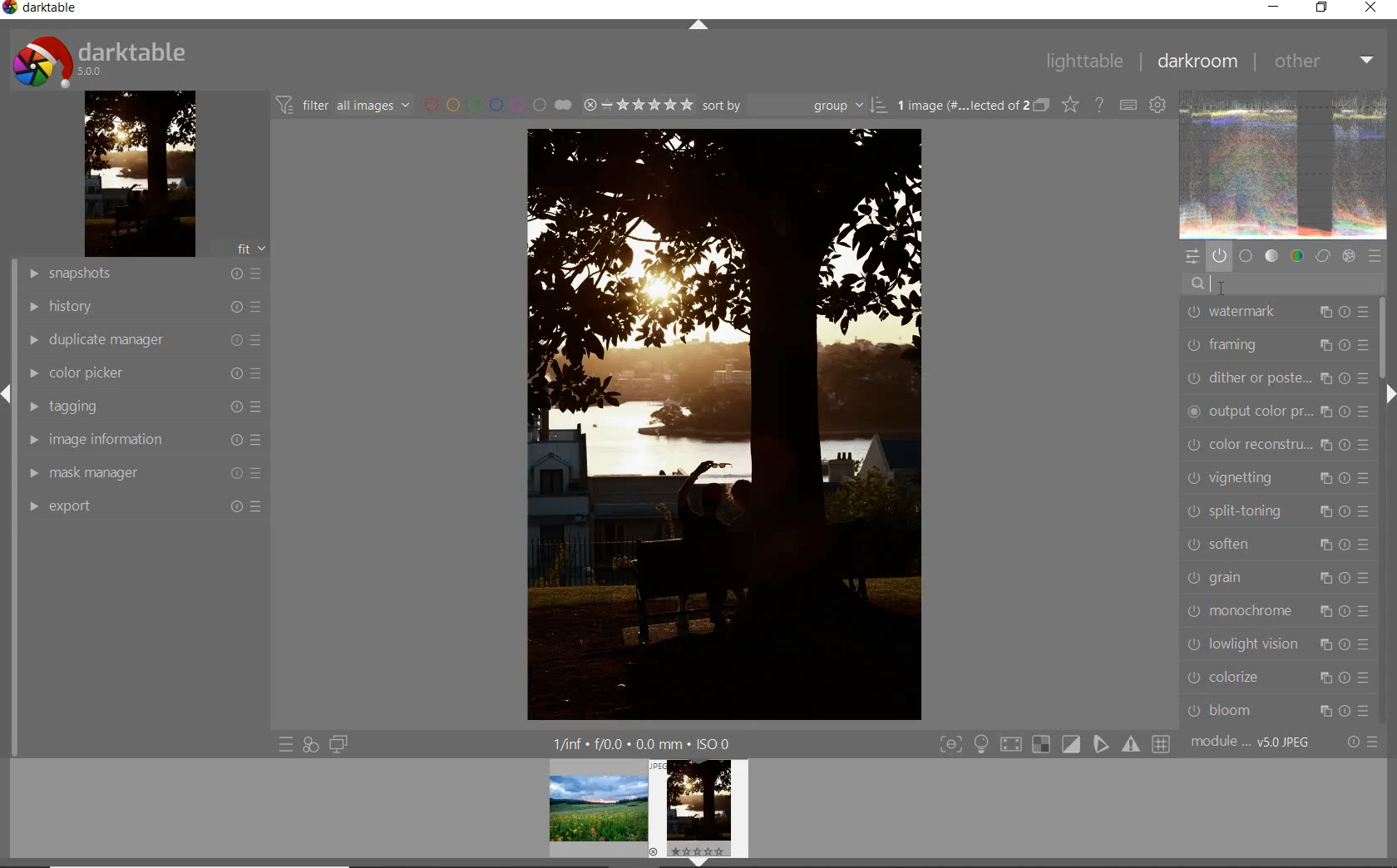  What do you see at coordinates (1220, 255) in the screenshot?
I see `show only active modules` at bounding box center [1220, 255].